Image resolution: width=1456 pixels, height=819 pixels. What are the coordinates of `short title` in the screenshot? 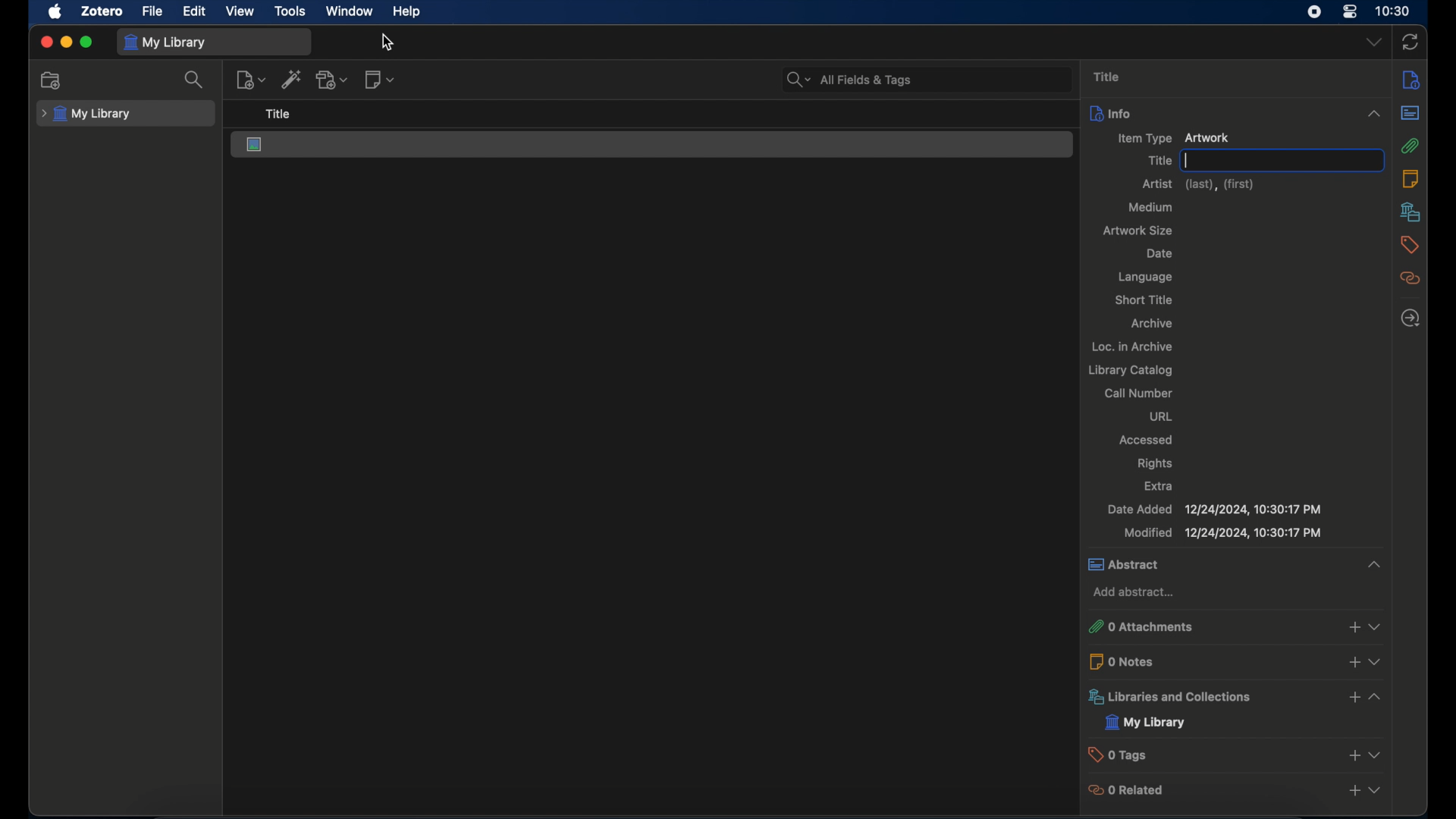 It's located at (1143, 299).